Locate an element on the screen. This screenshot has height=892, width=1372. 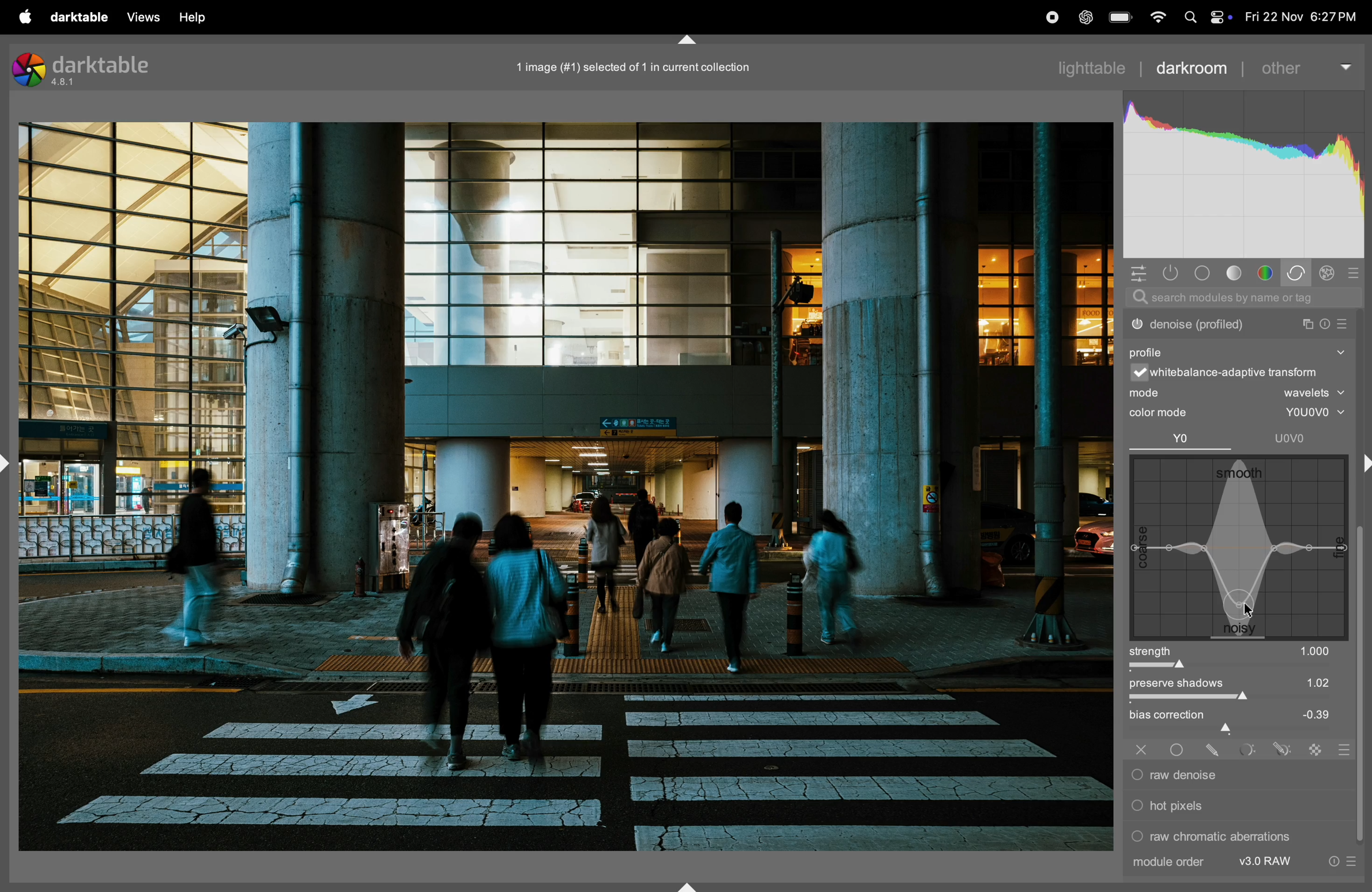
darkroom is located at coordinates (1195, 70).